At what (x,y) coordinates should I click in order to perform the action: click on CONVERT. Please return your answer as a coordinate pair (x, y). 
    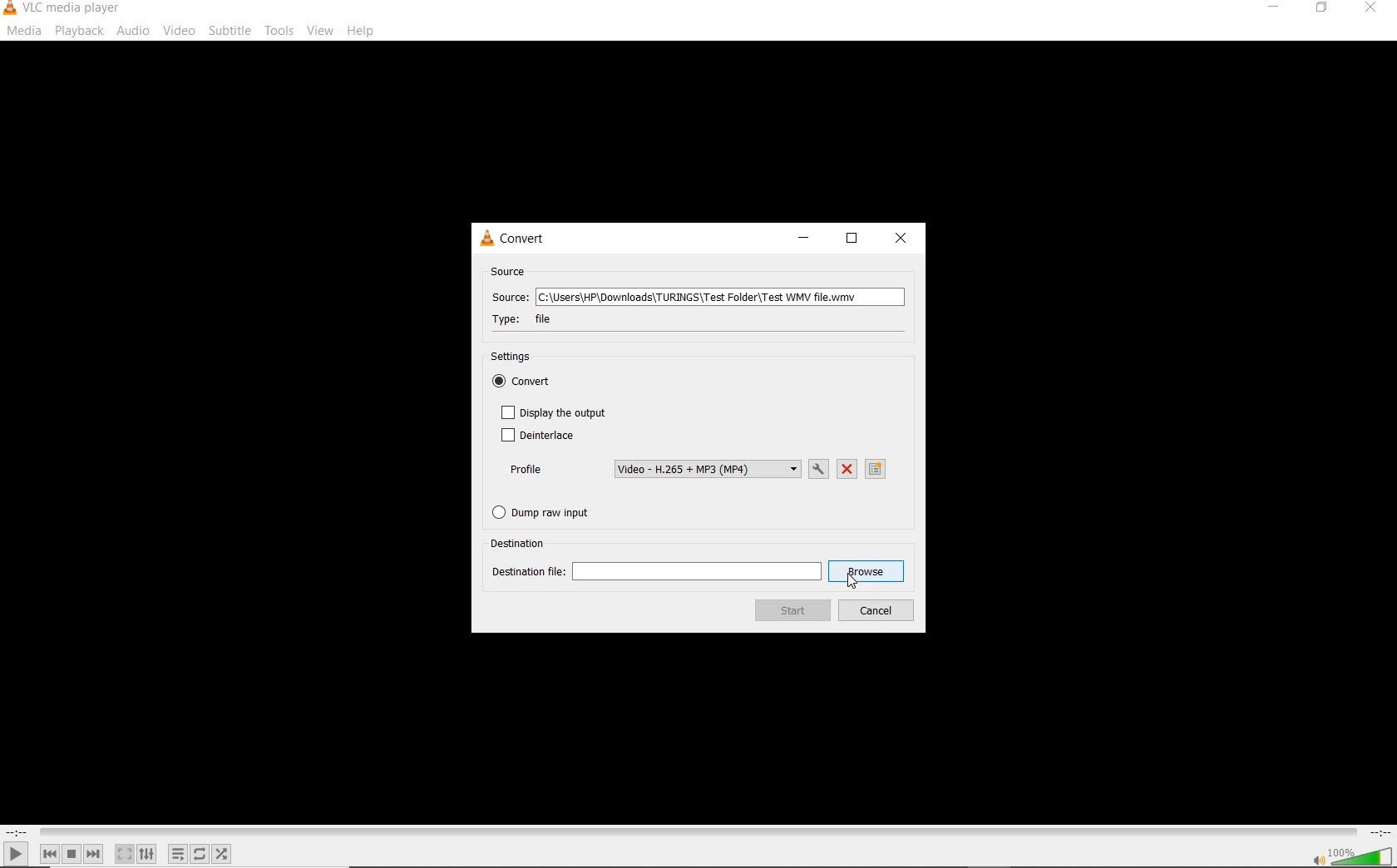
    Looking at the image, I should click on (523, 239).